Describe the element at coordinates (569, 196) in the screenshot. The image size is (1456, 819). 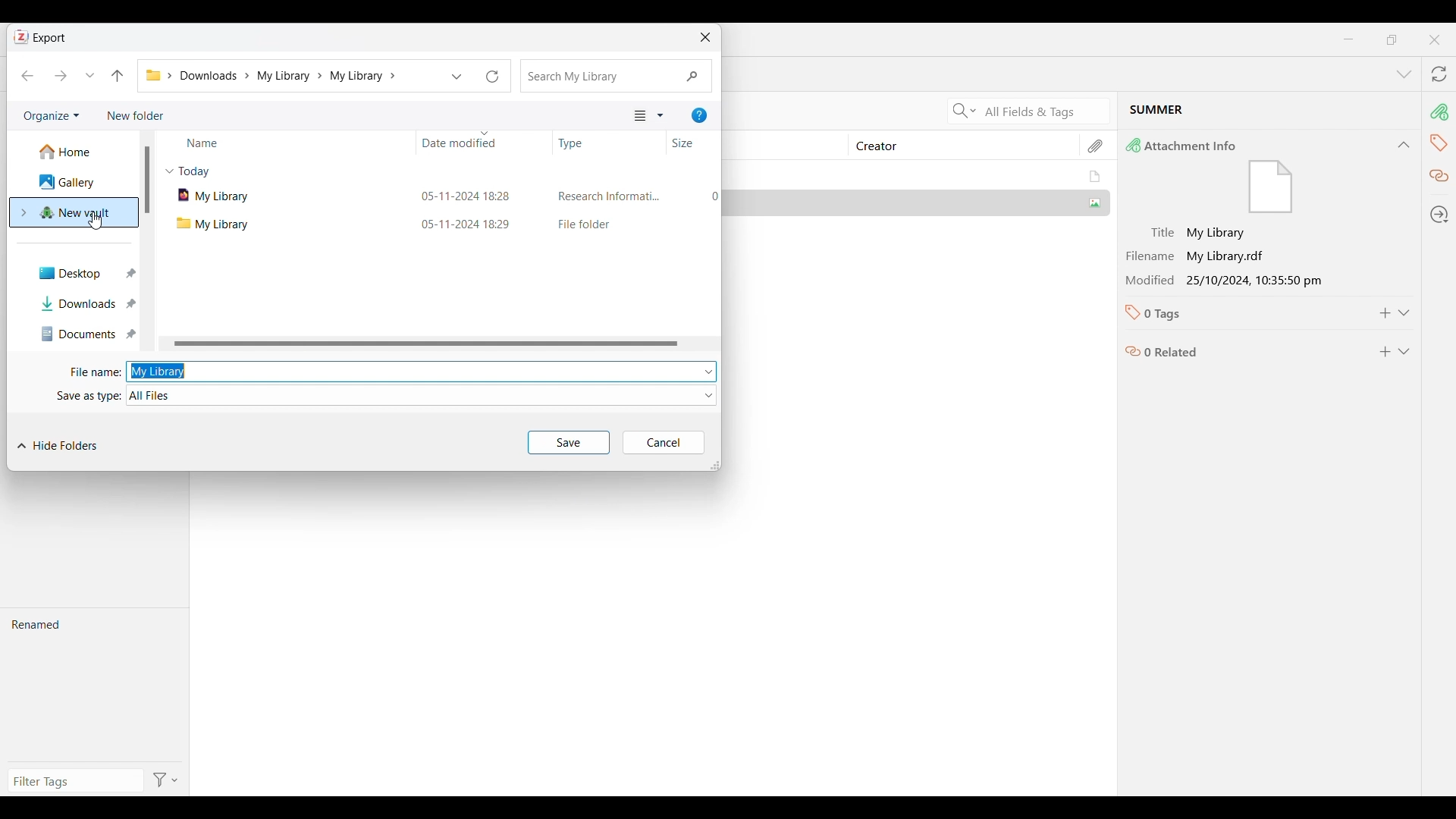
I see `05-11-2024 18:28 Research informati` at that location.